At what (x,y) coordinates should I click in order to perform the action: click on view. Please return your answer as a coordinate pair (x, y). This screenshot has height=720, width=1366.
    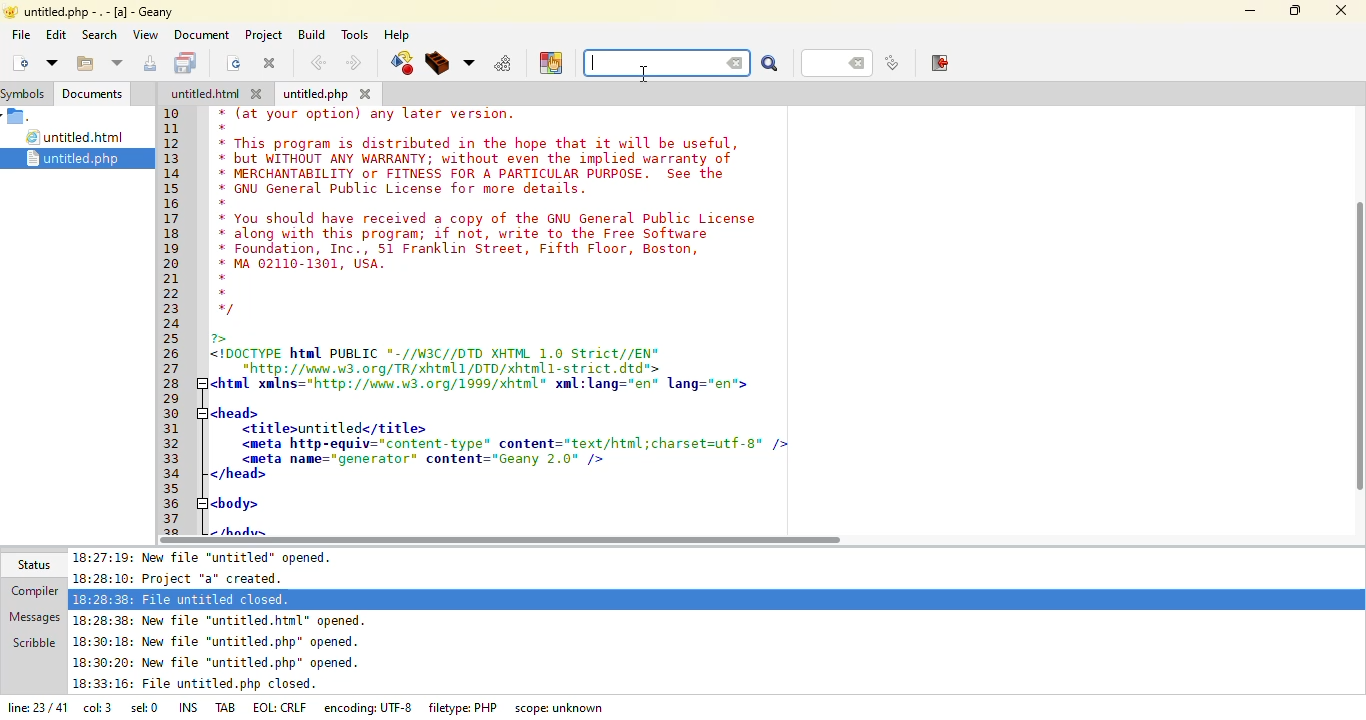
    Looking at the image, I should click on (144, 34).